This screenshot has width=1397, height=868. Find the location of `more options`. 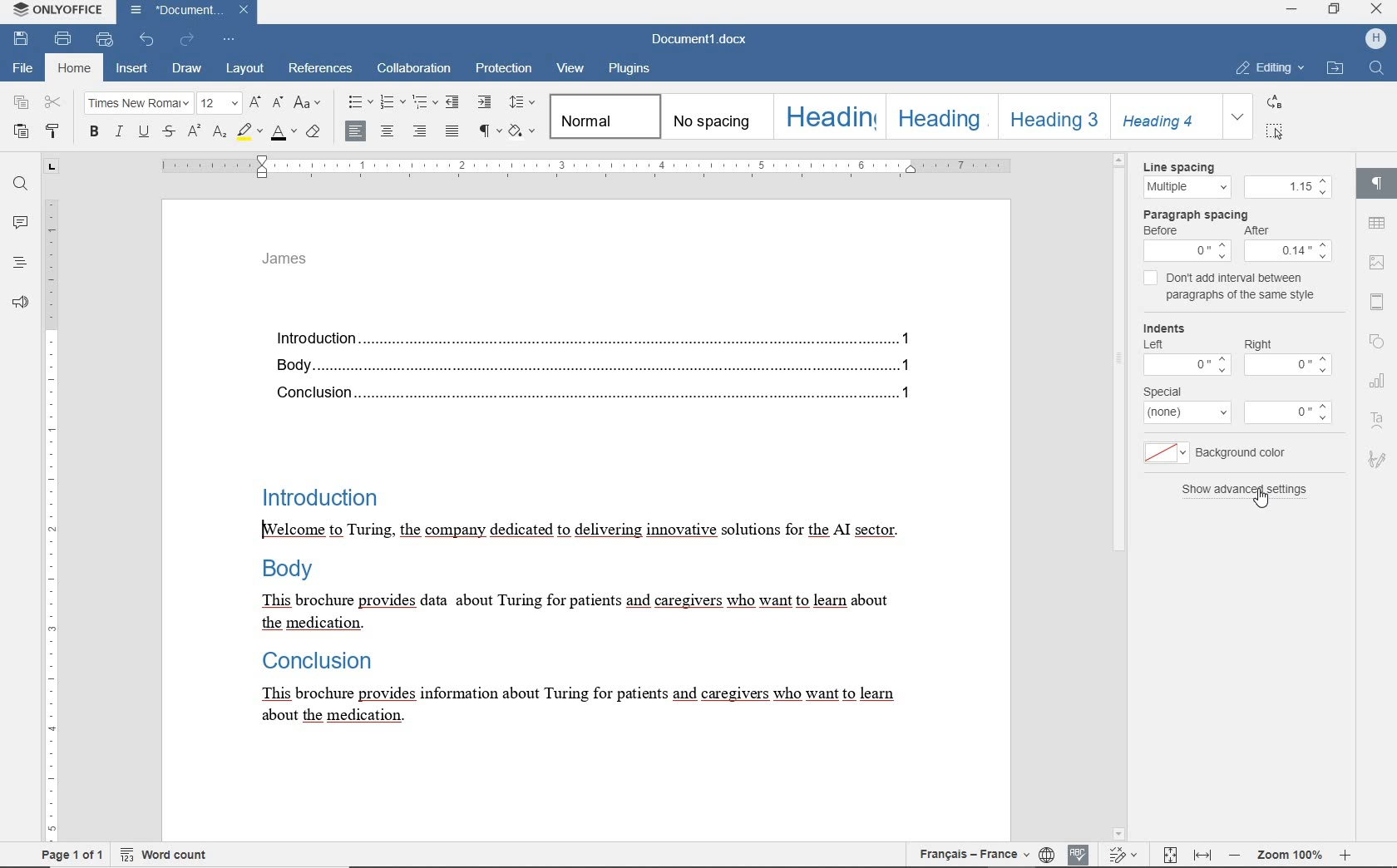

more options is located at coordinates (1289, 367).